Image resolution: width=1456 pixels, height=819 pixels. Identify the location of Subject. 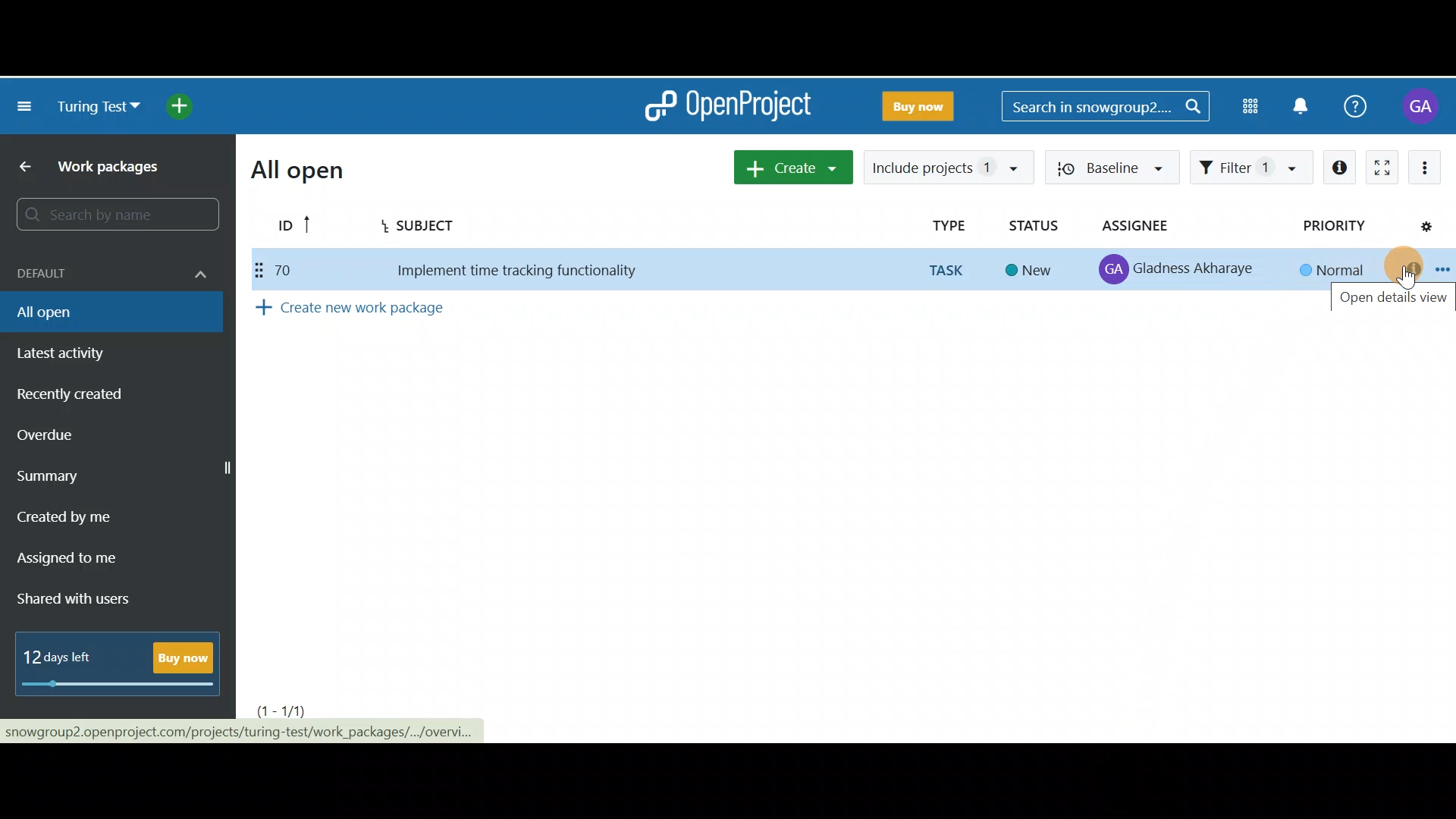
(447, 229).